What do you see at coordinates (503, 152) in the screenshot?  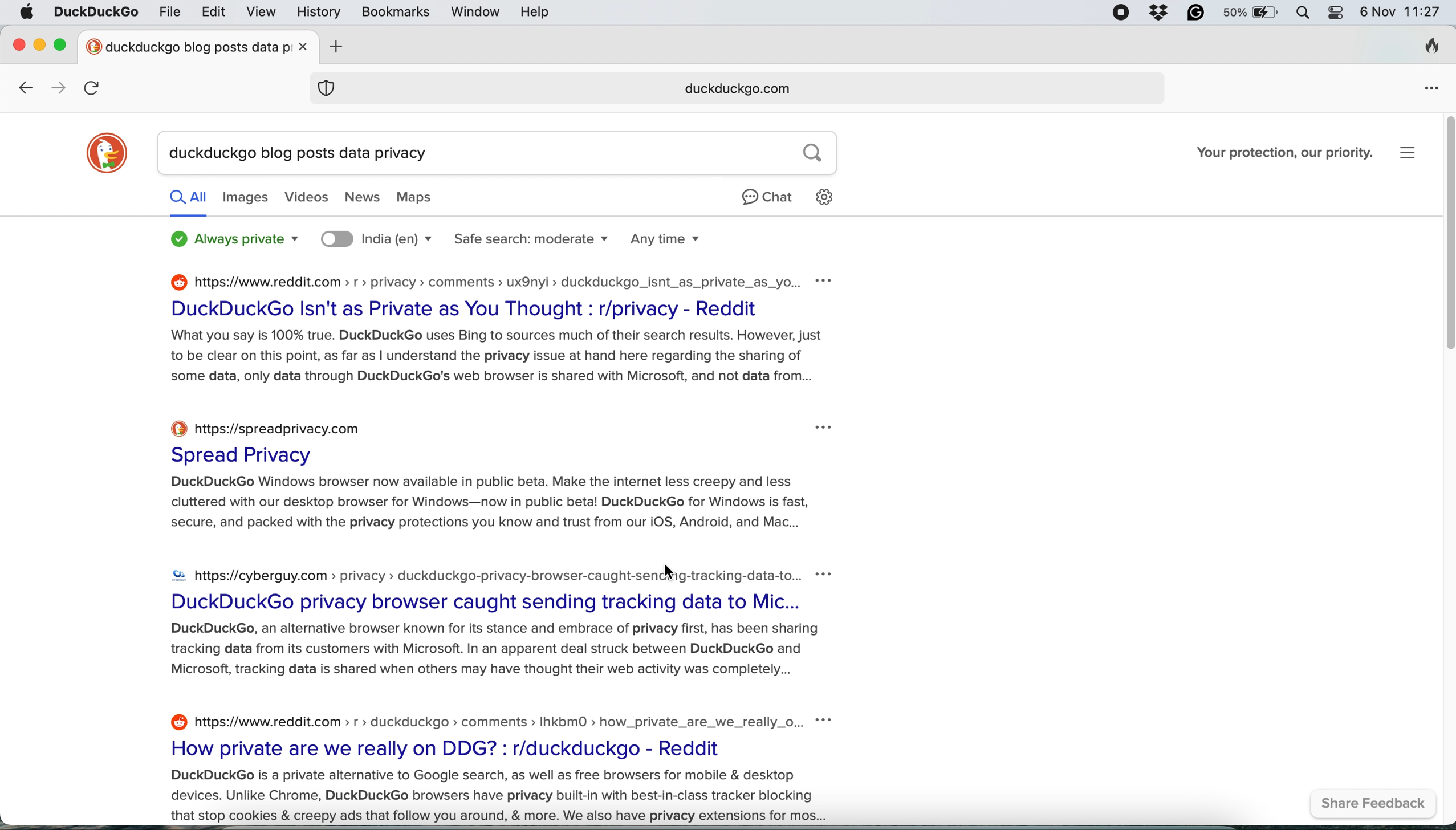 I see `search query` at bounding box center [503, 152].